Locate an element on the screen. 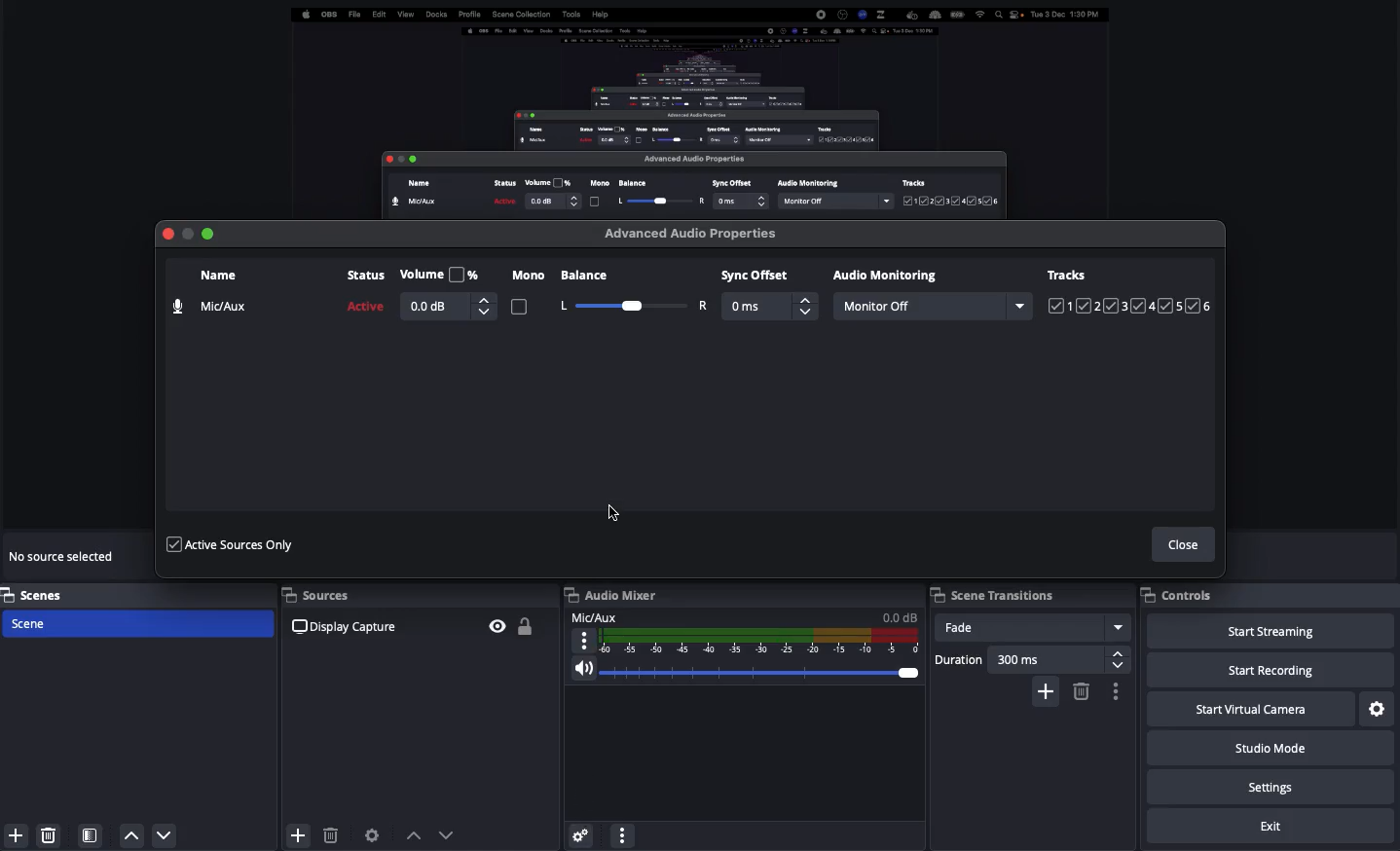 This screenshot has width=1400, height=851. Tracks is located at coordinates (1130, 292).